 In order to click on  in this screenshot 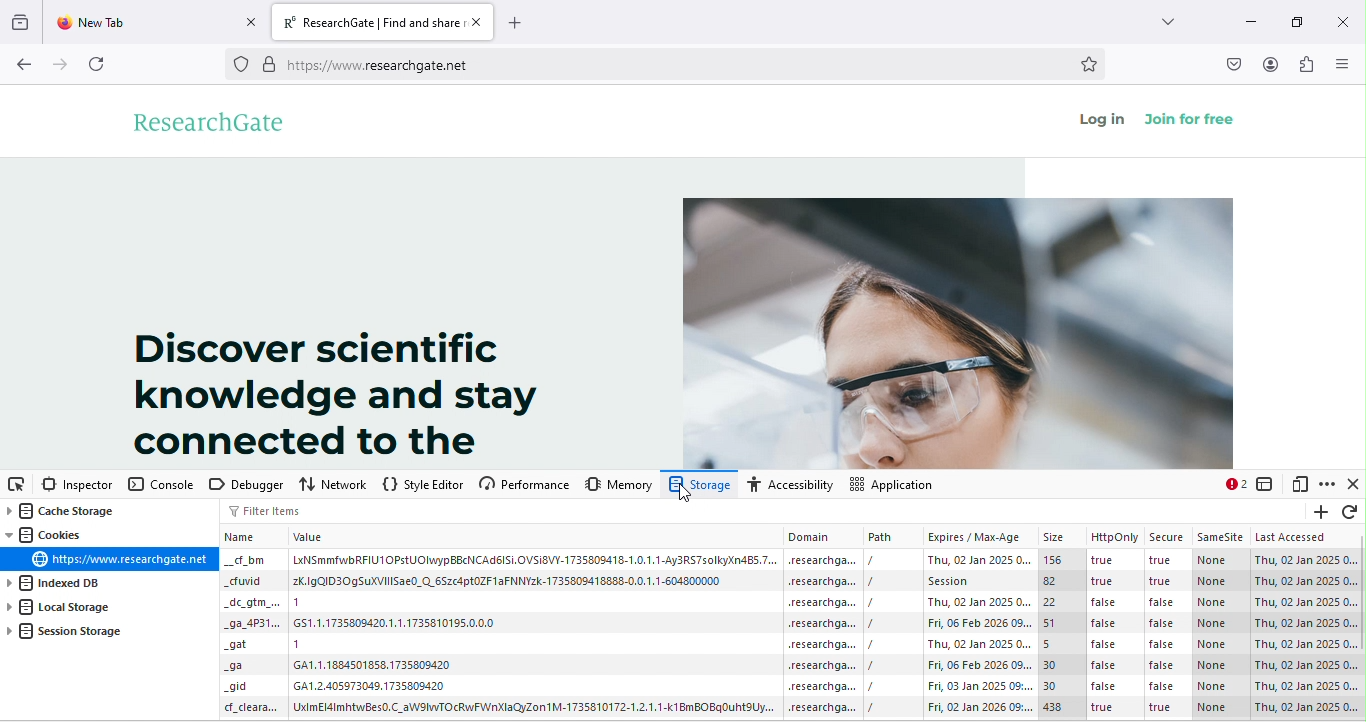, I will do `click(248, 581)`.